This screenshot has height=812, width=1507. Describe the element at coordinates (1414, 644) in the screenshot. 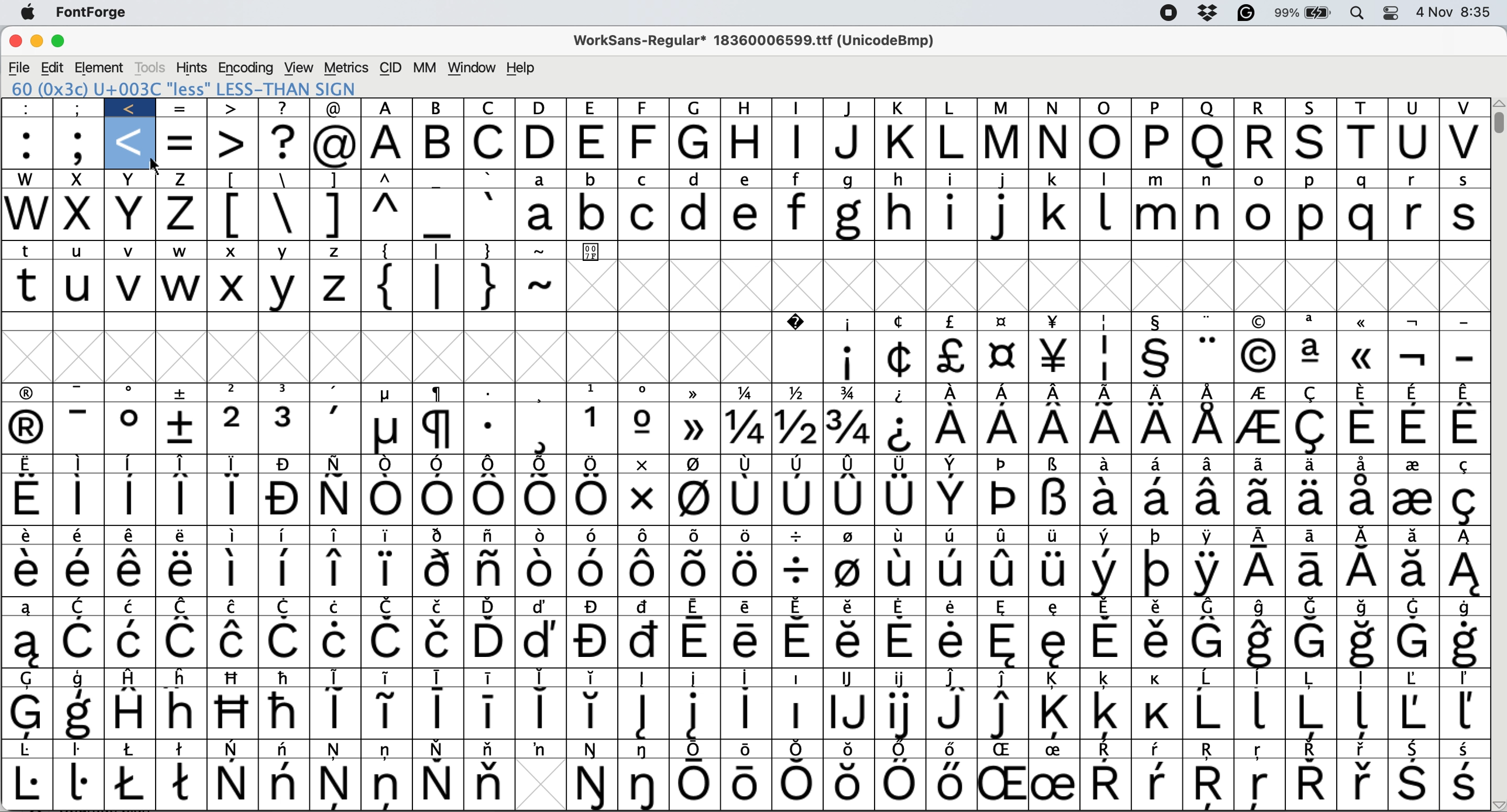

I see `Symbol` at that location.